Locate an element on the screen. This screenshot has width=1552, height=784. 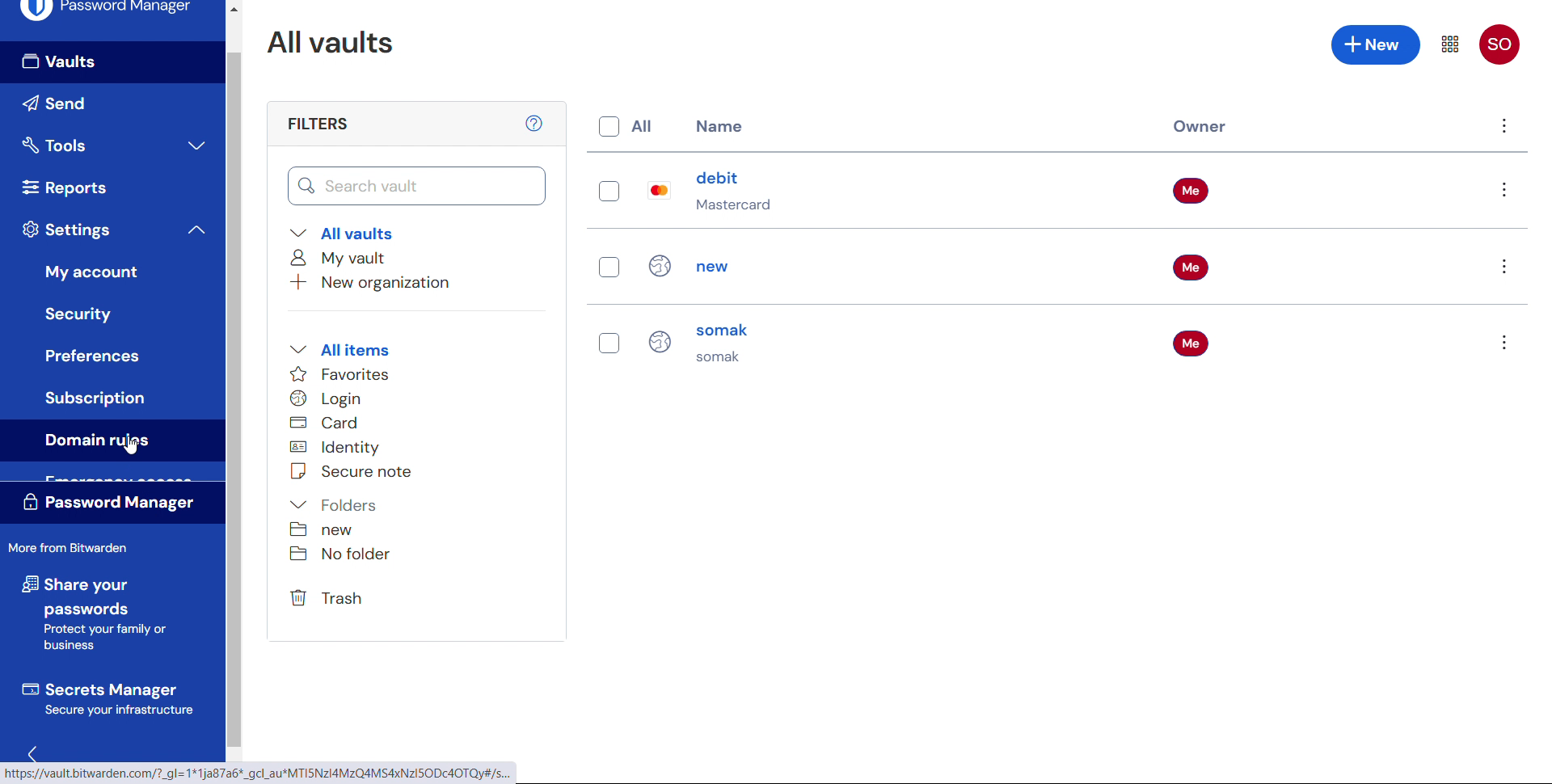
Options for entry "new" is located at coordinates (1503, 266).